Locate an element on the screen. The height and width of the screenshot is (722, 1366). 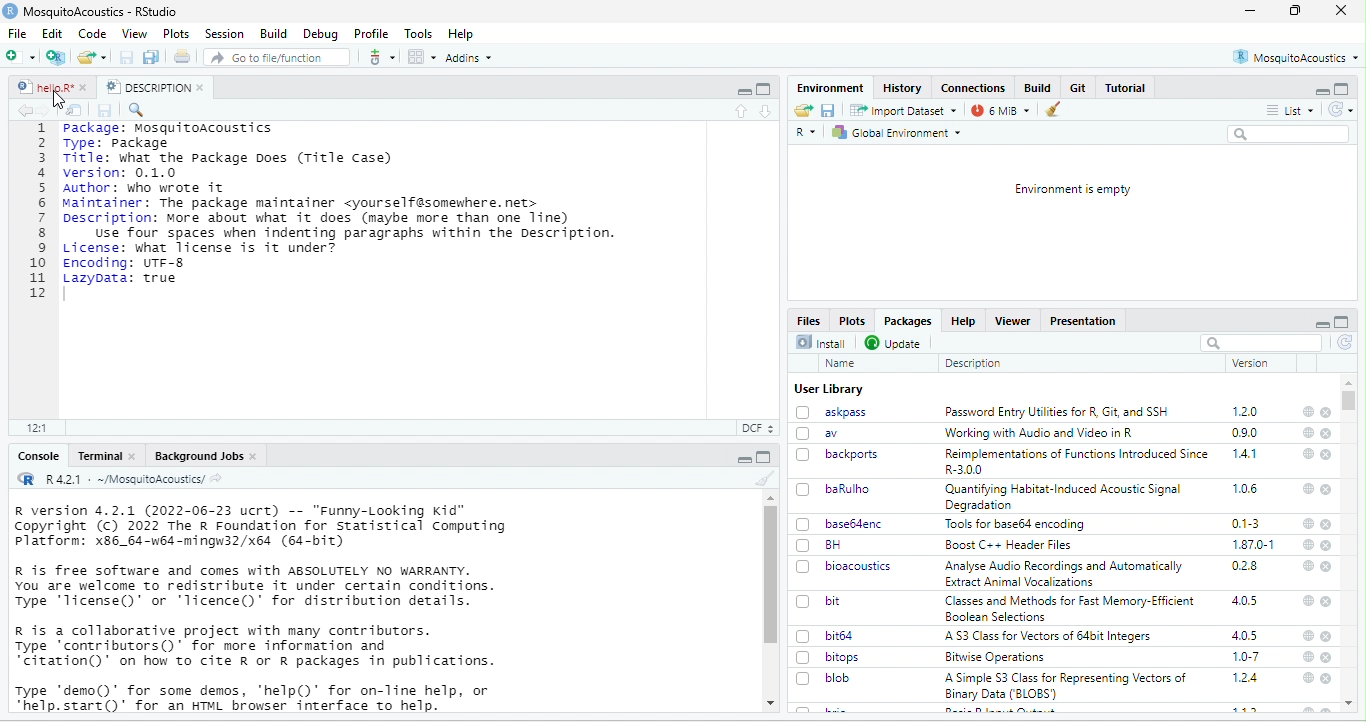
workspace panes is located at coordinates (421, 57).